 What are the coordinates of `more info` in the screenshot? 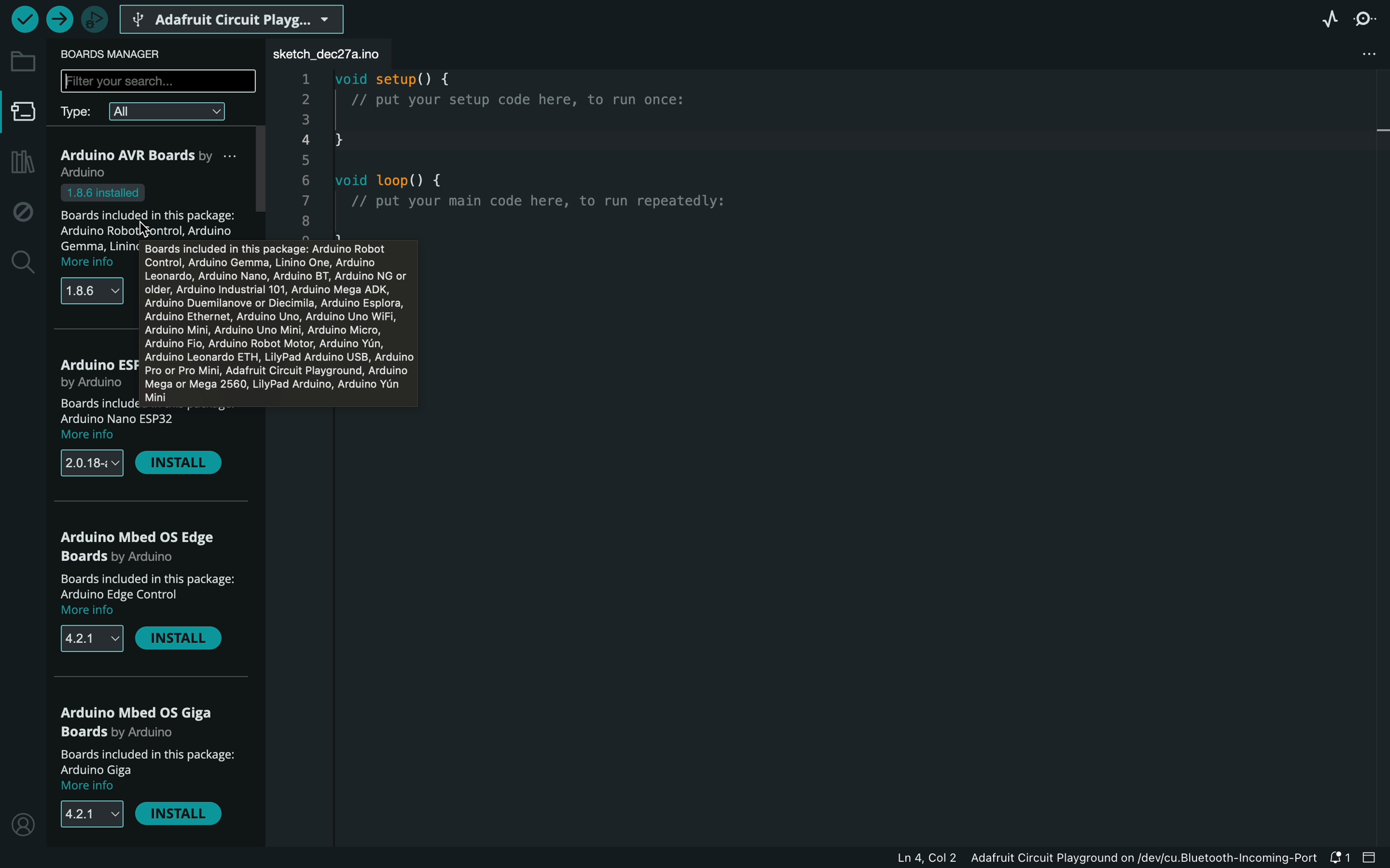 It's located at (93, 436).